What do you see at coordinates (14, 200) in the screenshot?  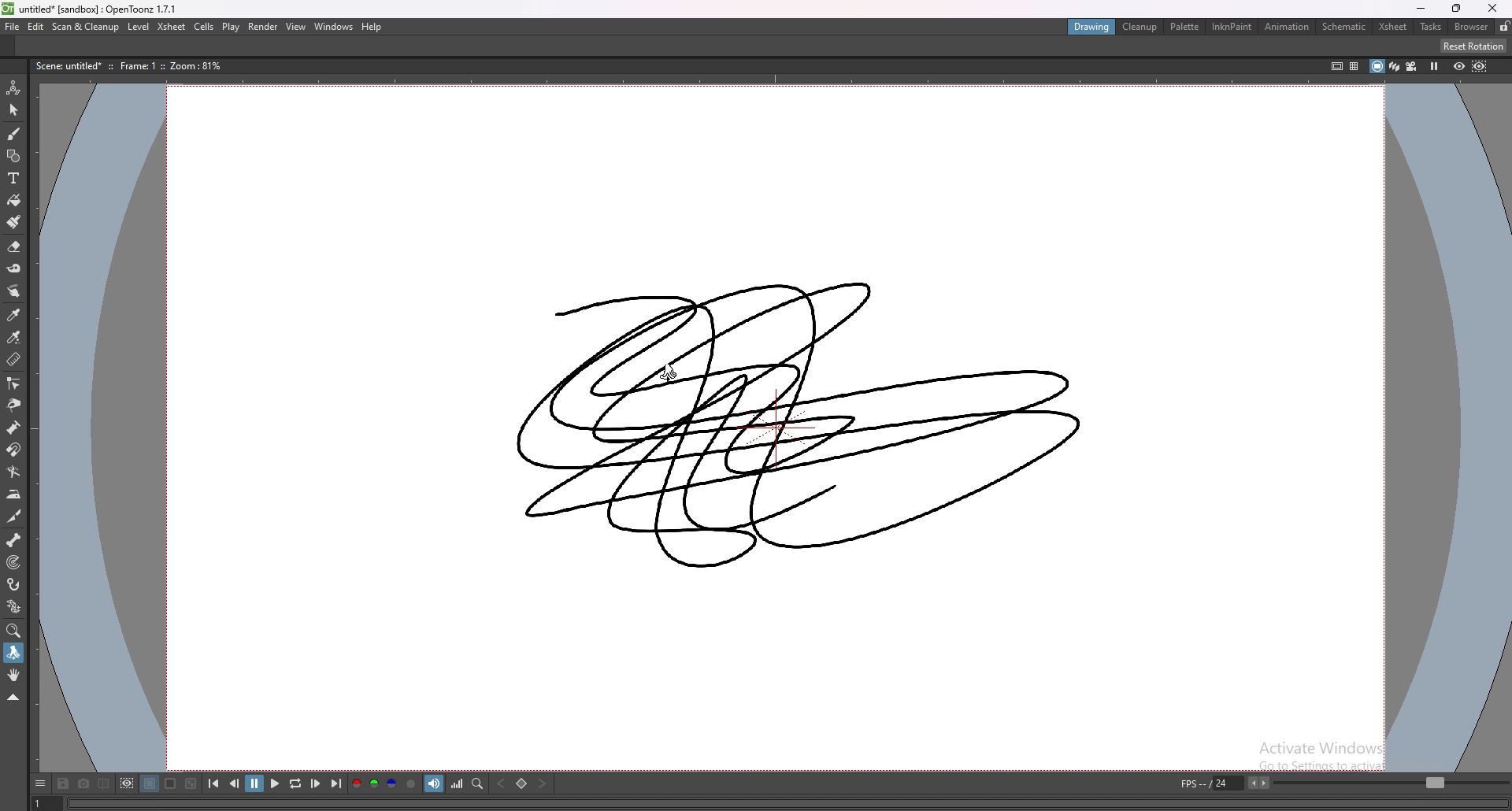 I see `paint tool` at bounding box center [14, 200].